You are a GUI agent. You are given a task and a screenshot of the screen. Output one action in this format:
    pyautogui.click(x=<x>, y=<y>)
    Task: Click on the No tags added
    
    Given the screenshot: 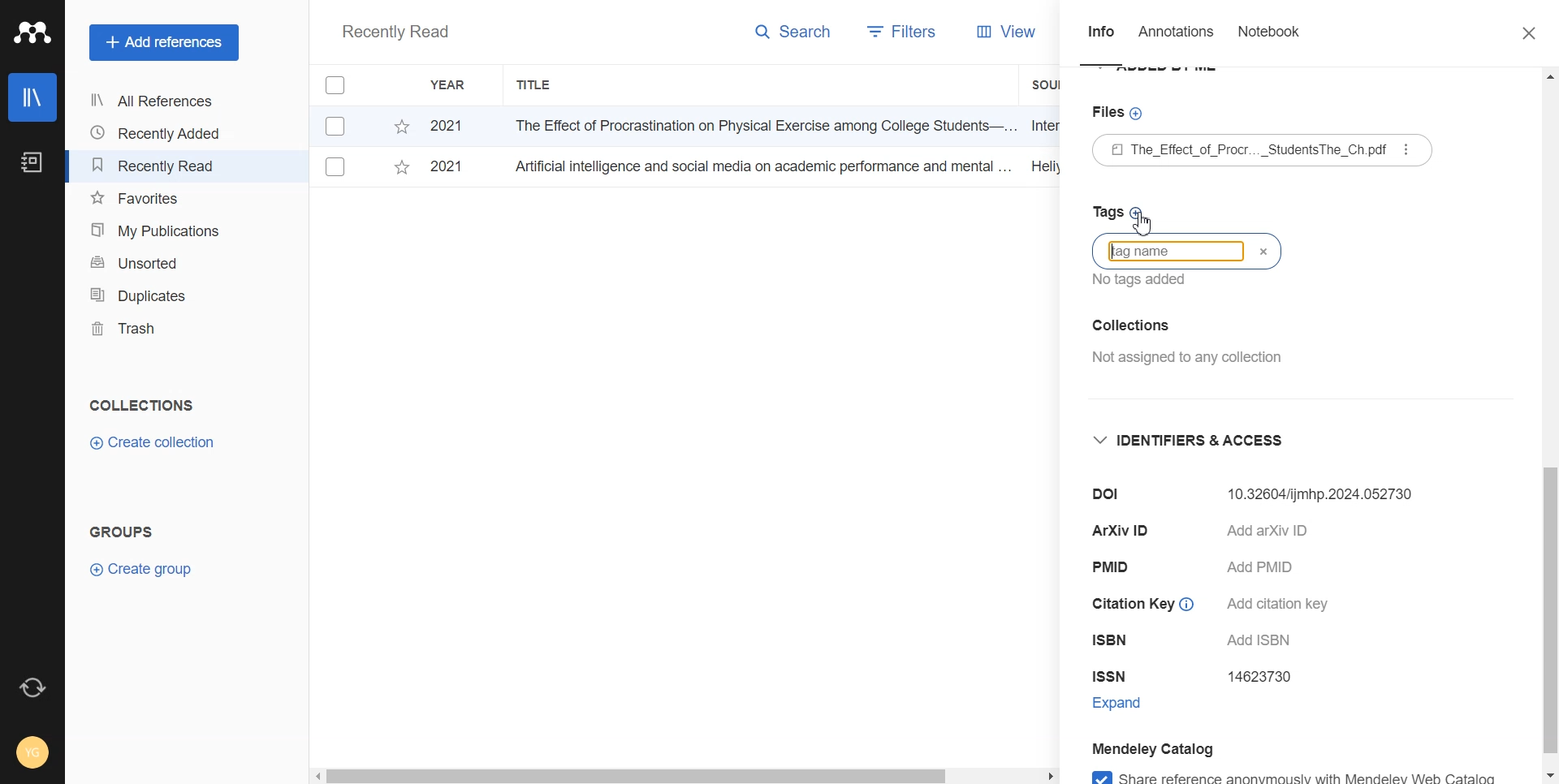 What is the action you would take?
    pyautogui.click(x=1135, y=280)
    